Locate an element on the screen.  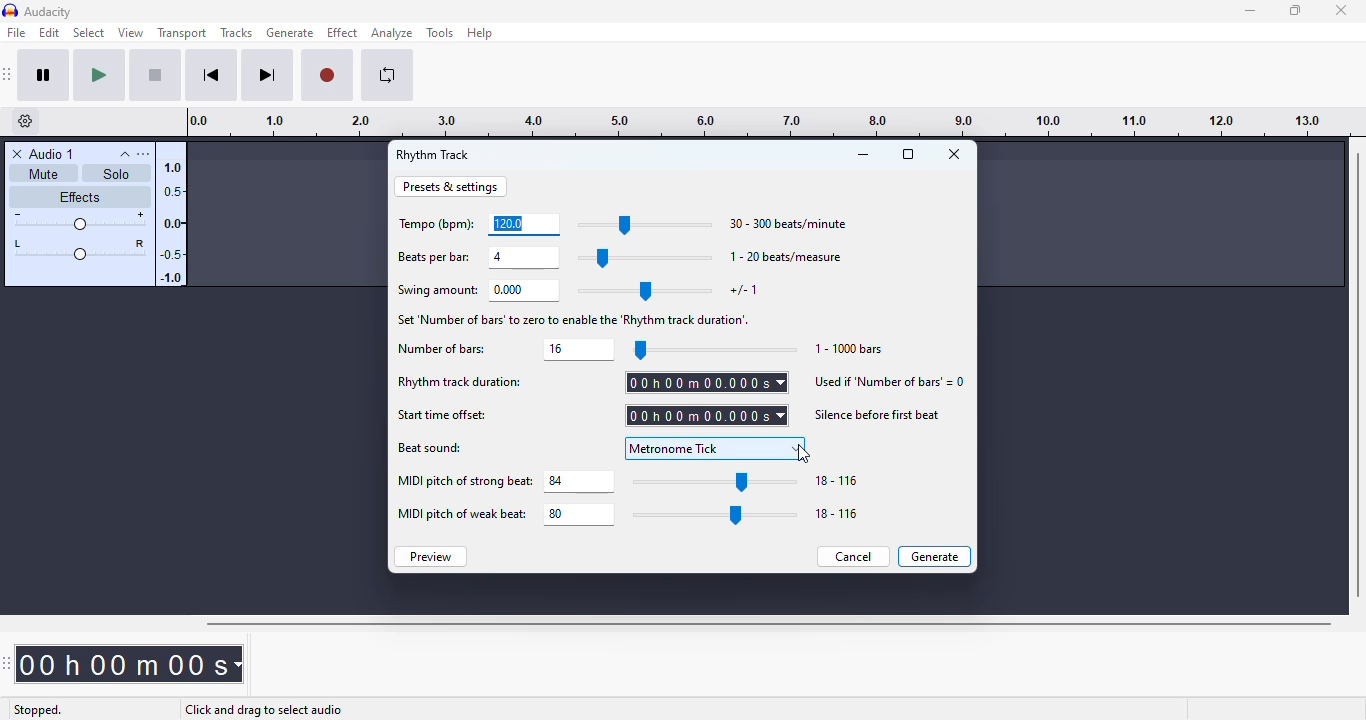
set beats per bar is located at coordinates (523, 258).